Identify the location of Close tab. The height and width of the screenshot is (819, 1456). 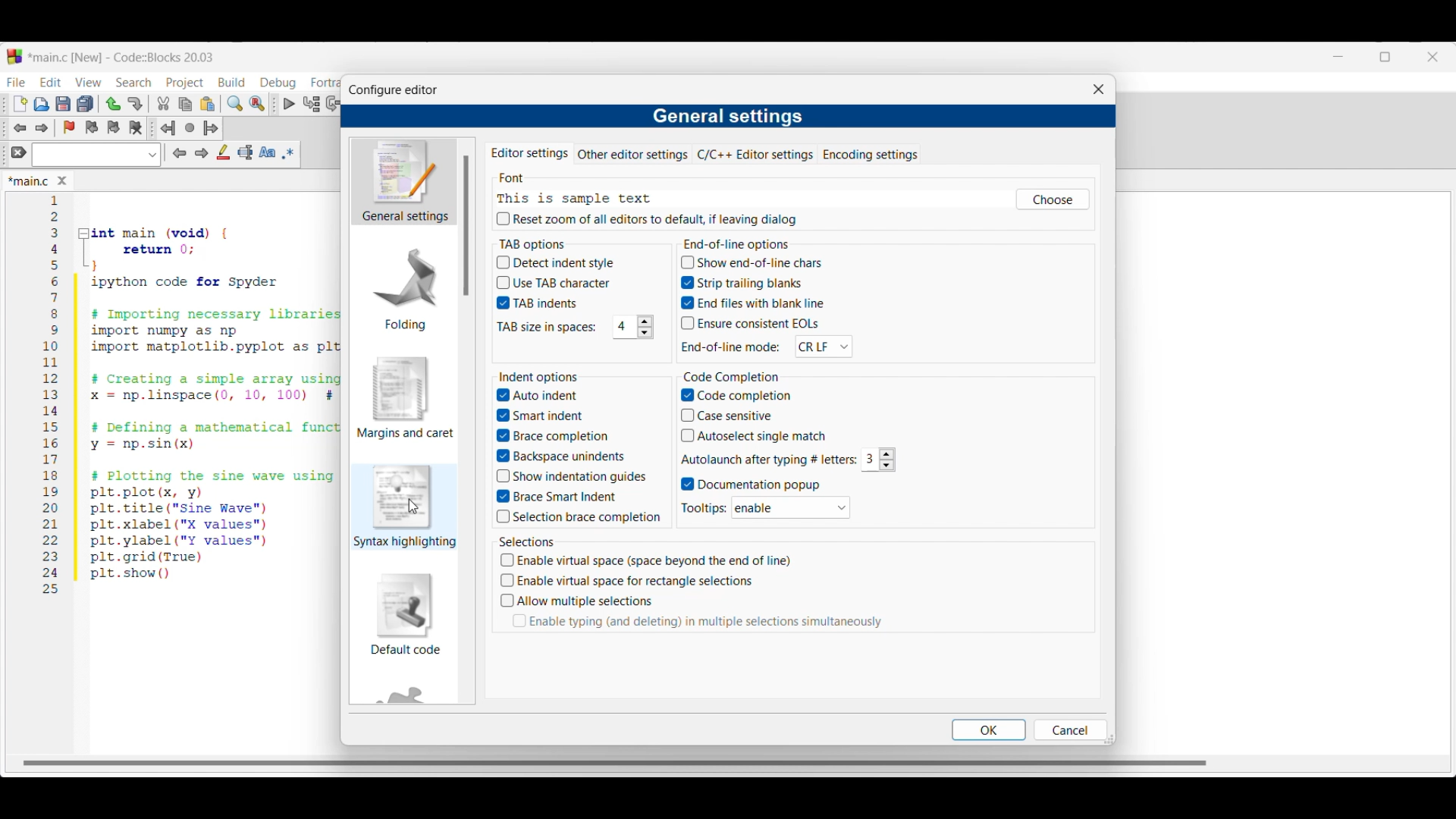
(62, 180).